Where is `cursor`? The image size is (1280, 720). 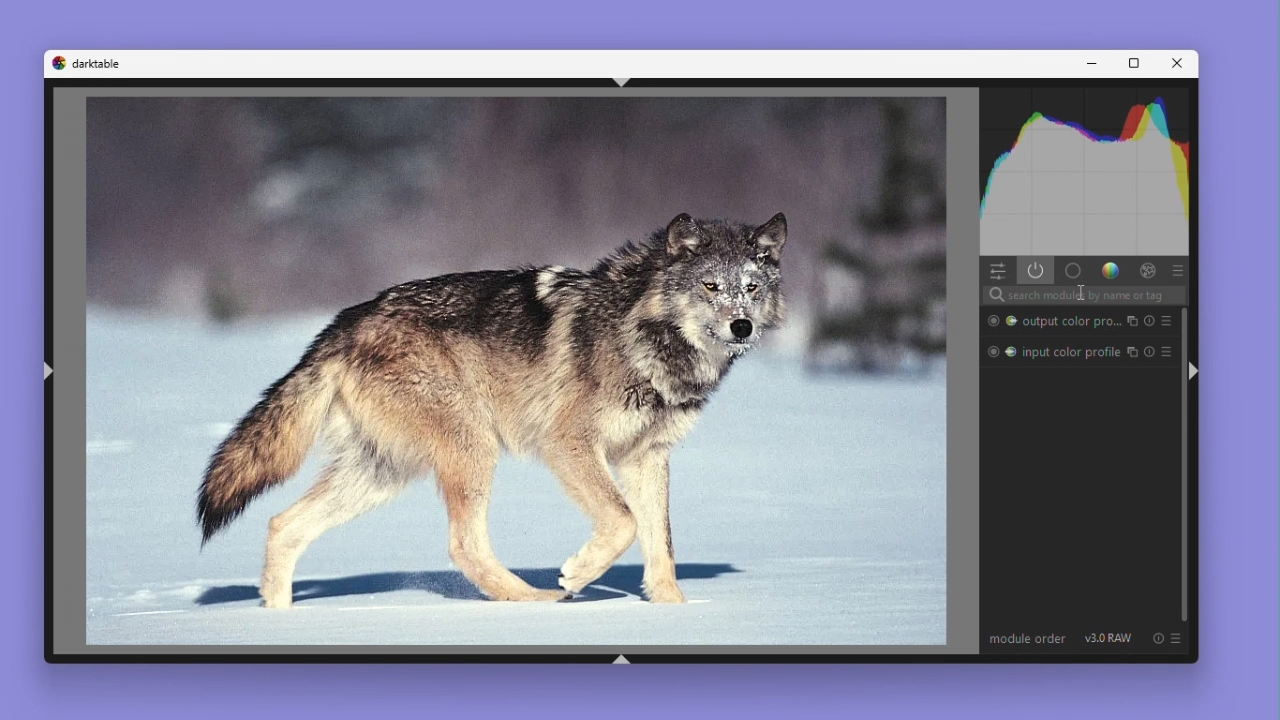
cursor is located at coordinates (1081, 293).